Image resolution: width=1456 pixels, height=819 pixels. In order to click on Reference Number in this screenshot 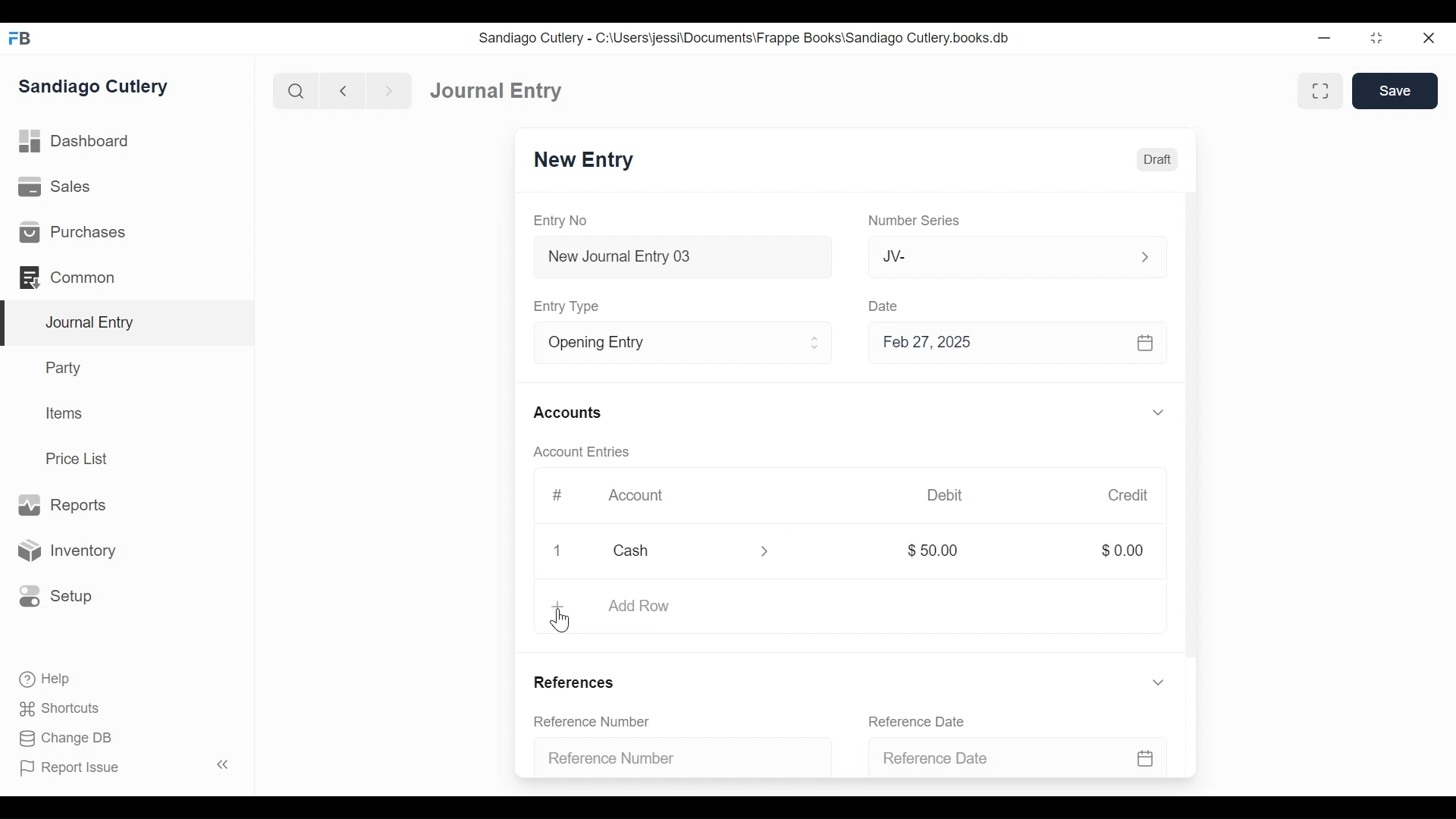, I will do `click(674, 755)`.